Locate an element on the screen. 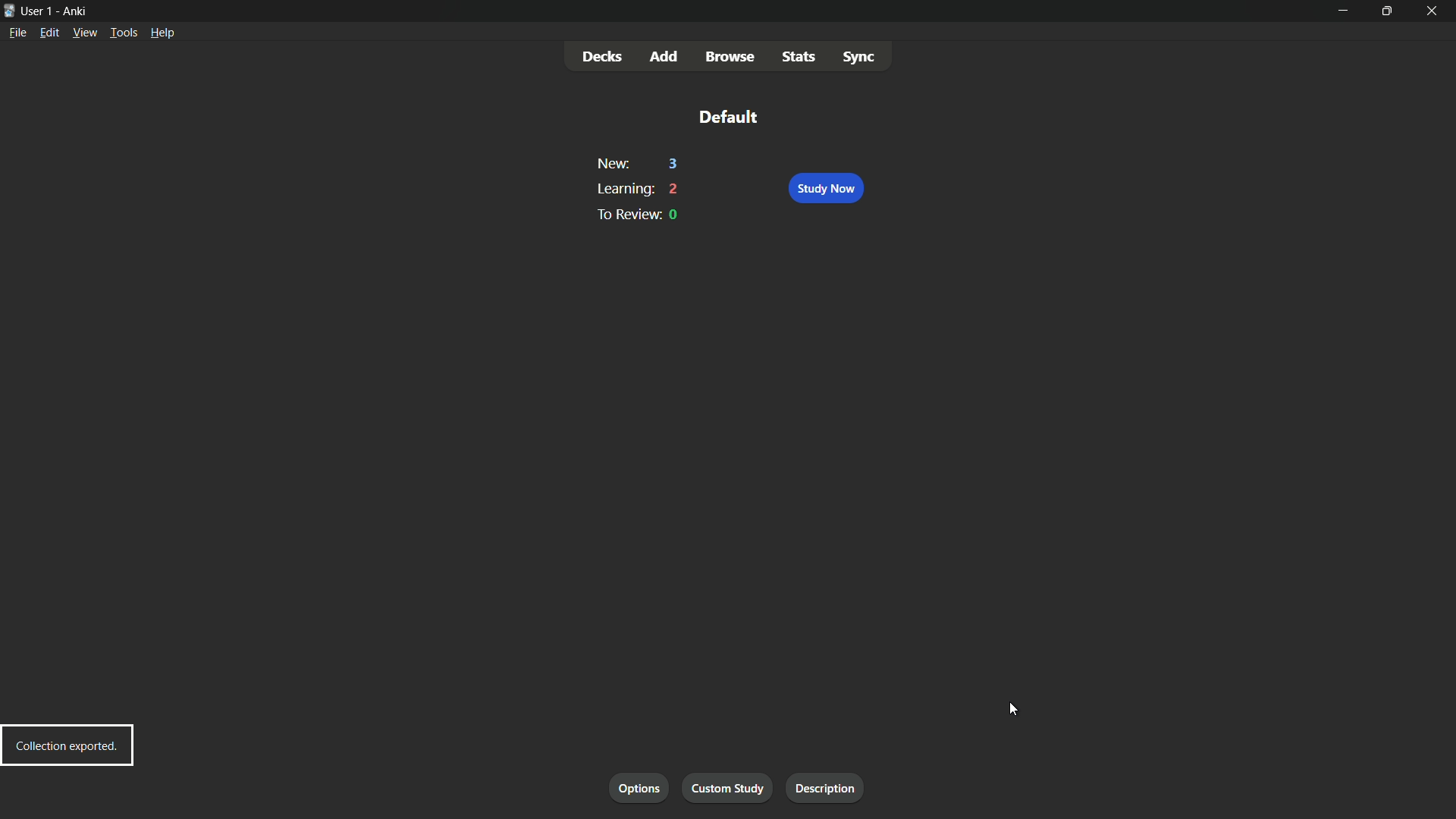 This screenshot has width=1456, height=819. stats is located at coordinates (800, 55).